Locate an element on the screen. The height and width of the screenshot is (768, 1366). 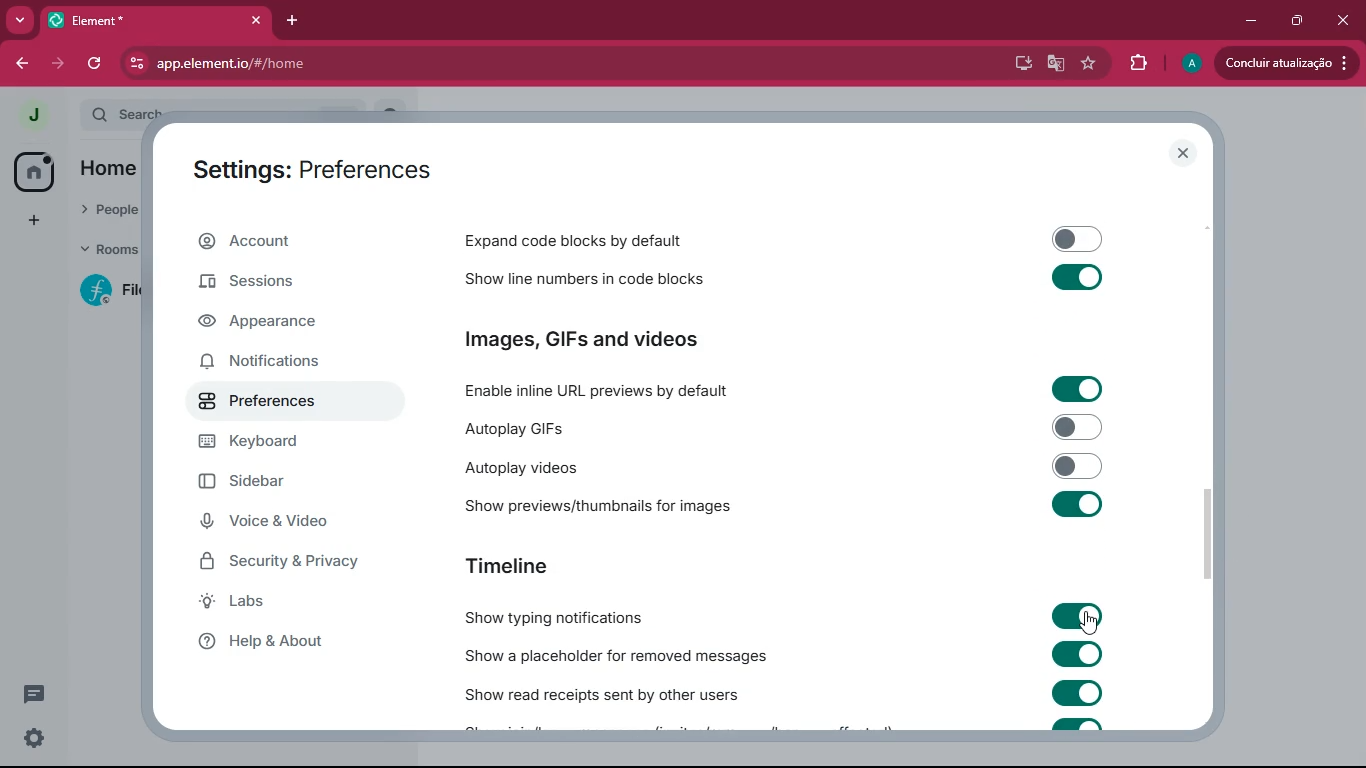
profile is located at coordinates (34, 115).